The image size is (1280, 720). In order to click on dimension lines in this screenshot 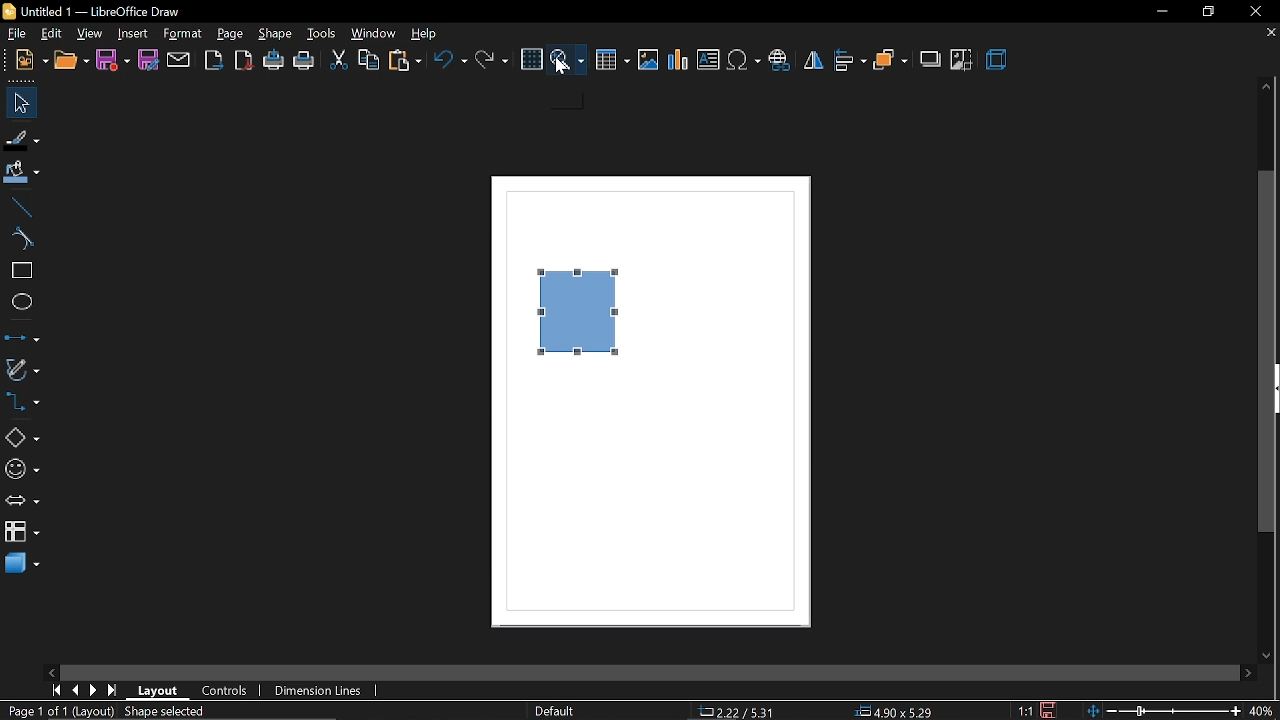, I will do `click(314, 691)`.